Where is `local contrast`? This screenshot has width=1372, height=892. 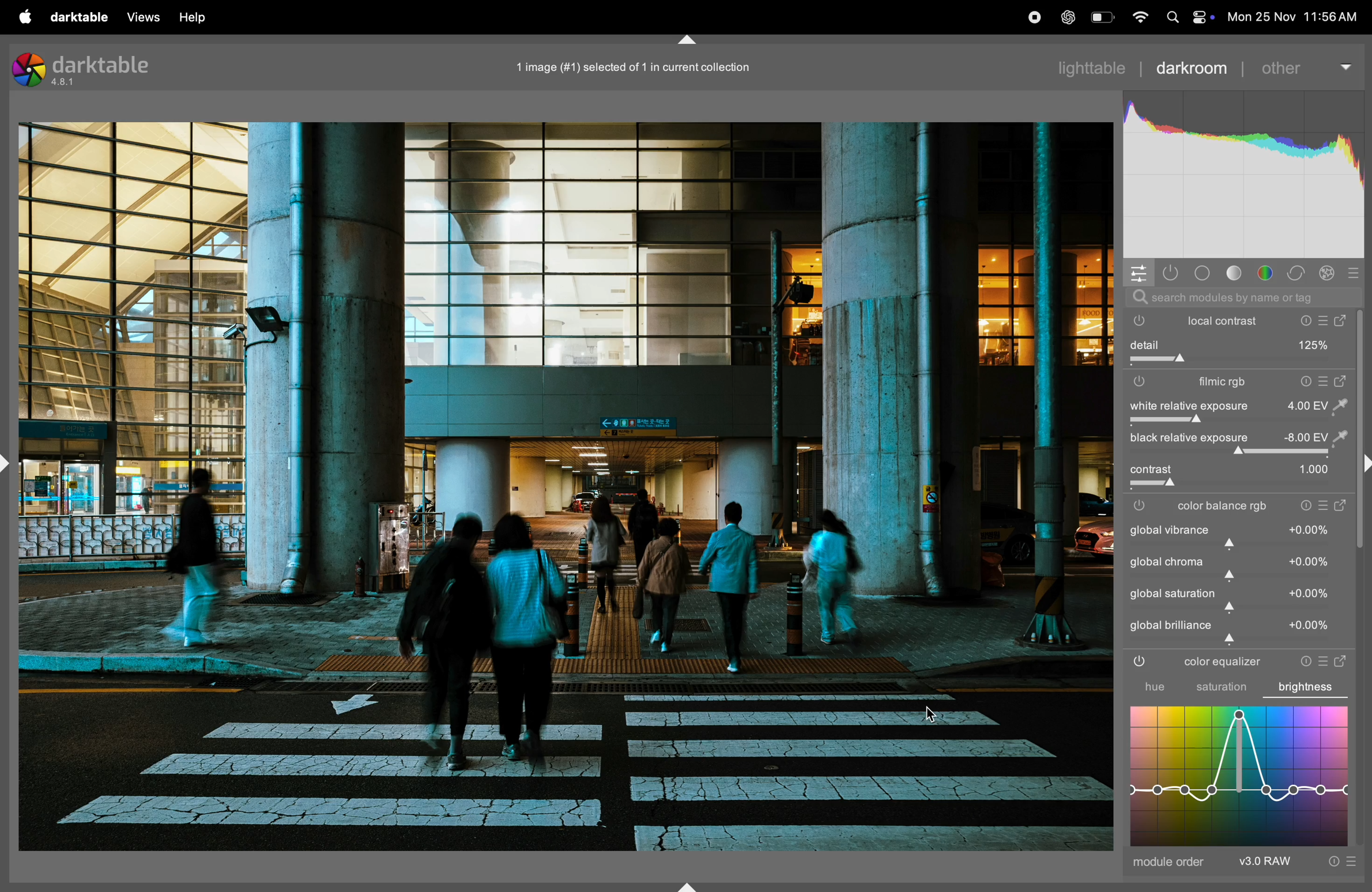
local contrast is located at coordinates (1269, 320).